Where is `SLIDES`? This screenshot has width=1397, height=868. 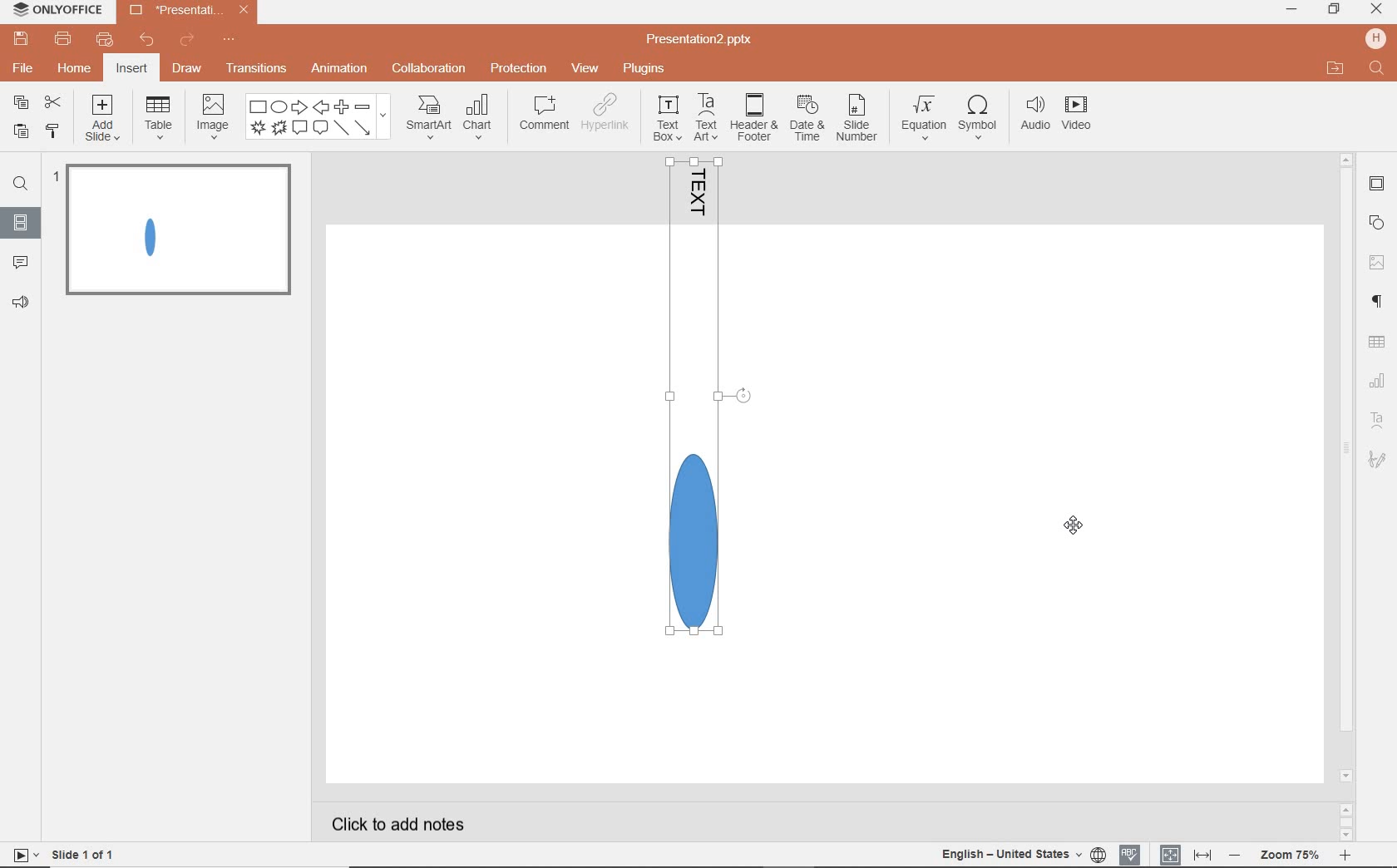 SLIDES is located at coordinates (22, 221).